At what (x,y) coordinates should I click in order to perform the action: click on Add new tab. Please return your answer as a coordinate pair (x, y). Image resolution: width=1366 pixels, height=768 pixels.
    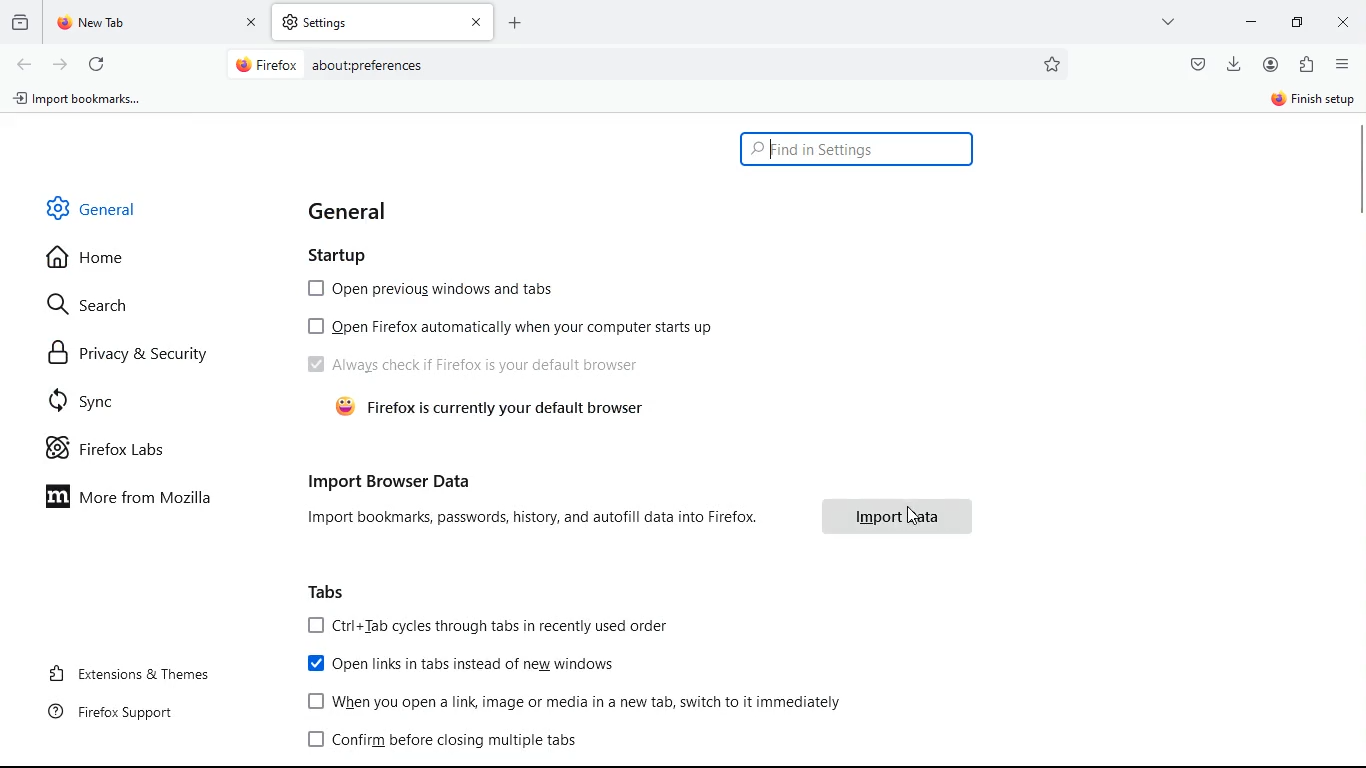
    Looking at the image, I should click on (515, 23).